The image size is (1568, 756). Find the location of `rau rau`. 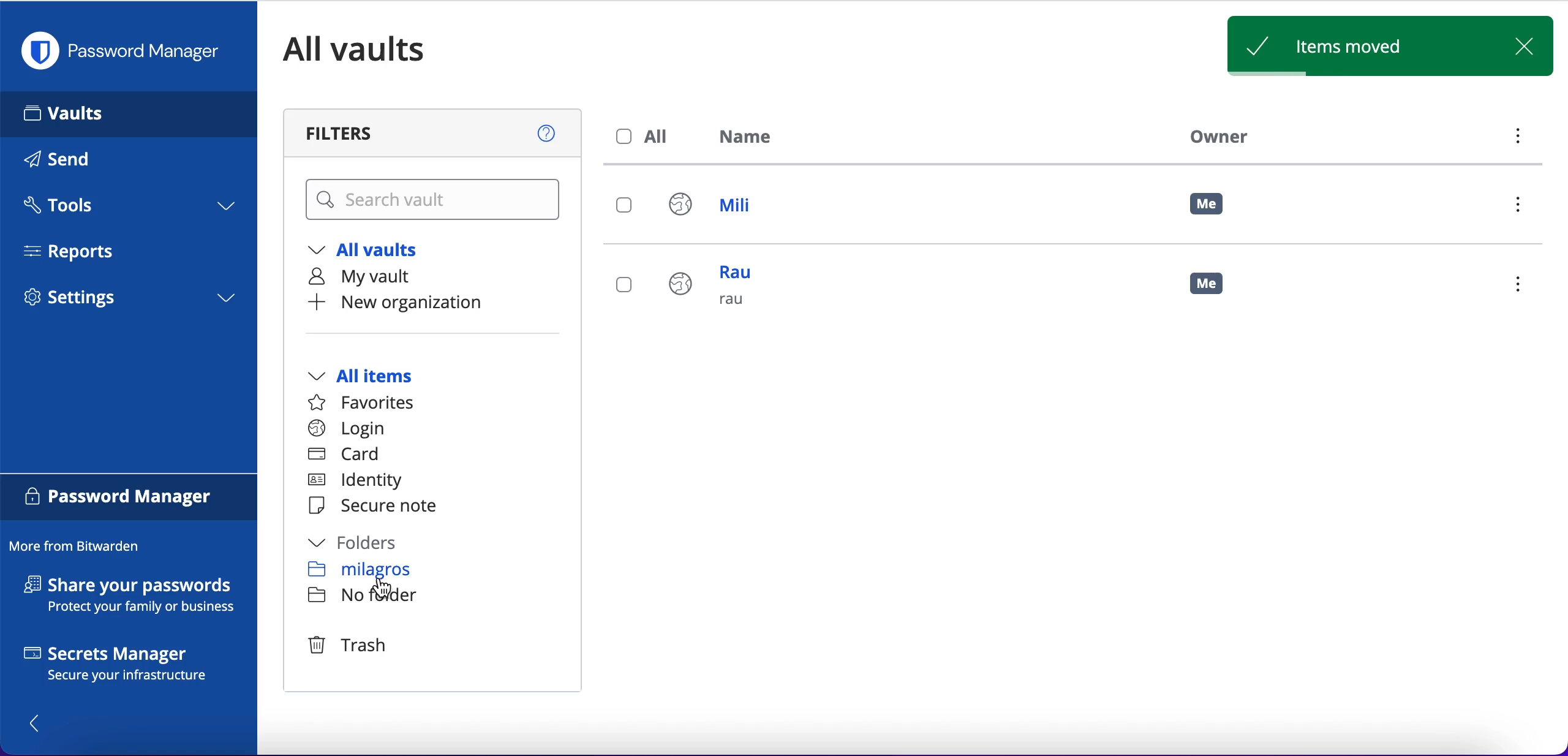

rau rau is located at coordinates (717, 293).